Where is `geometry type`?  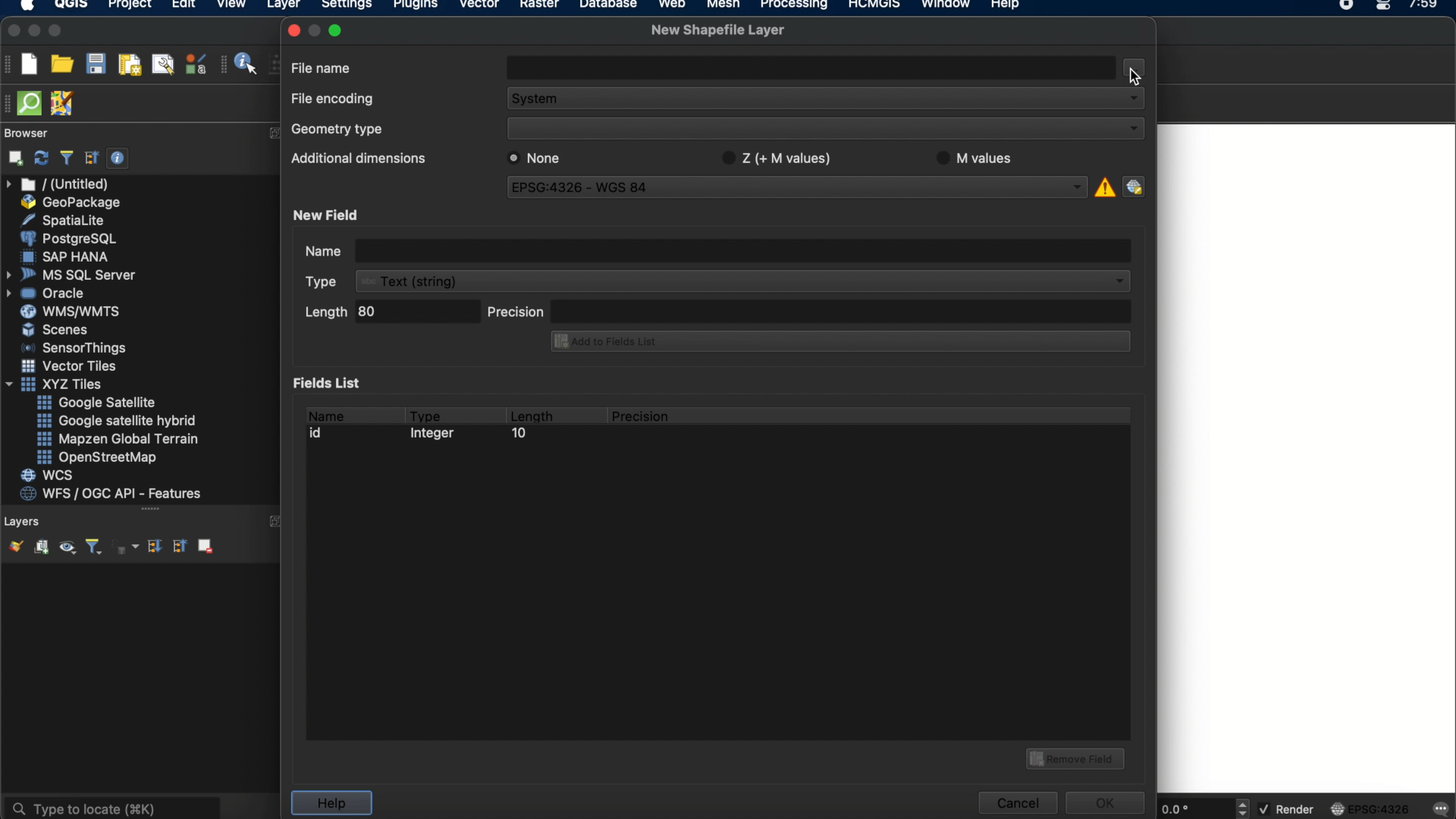 geometry type is located at coordinates (337, 130).